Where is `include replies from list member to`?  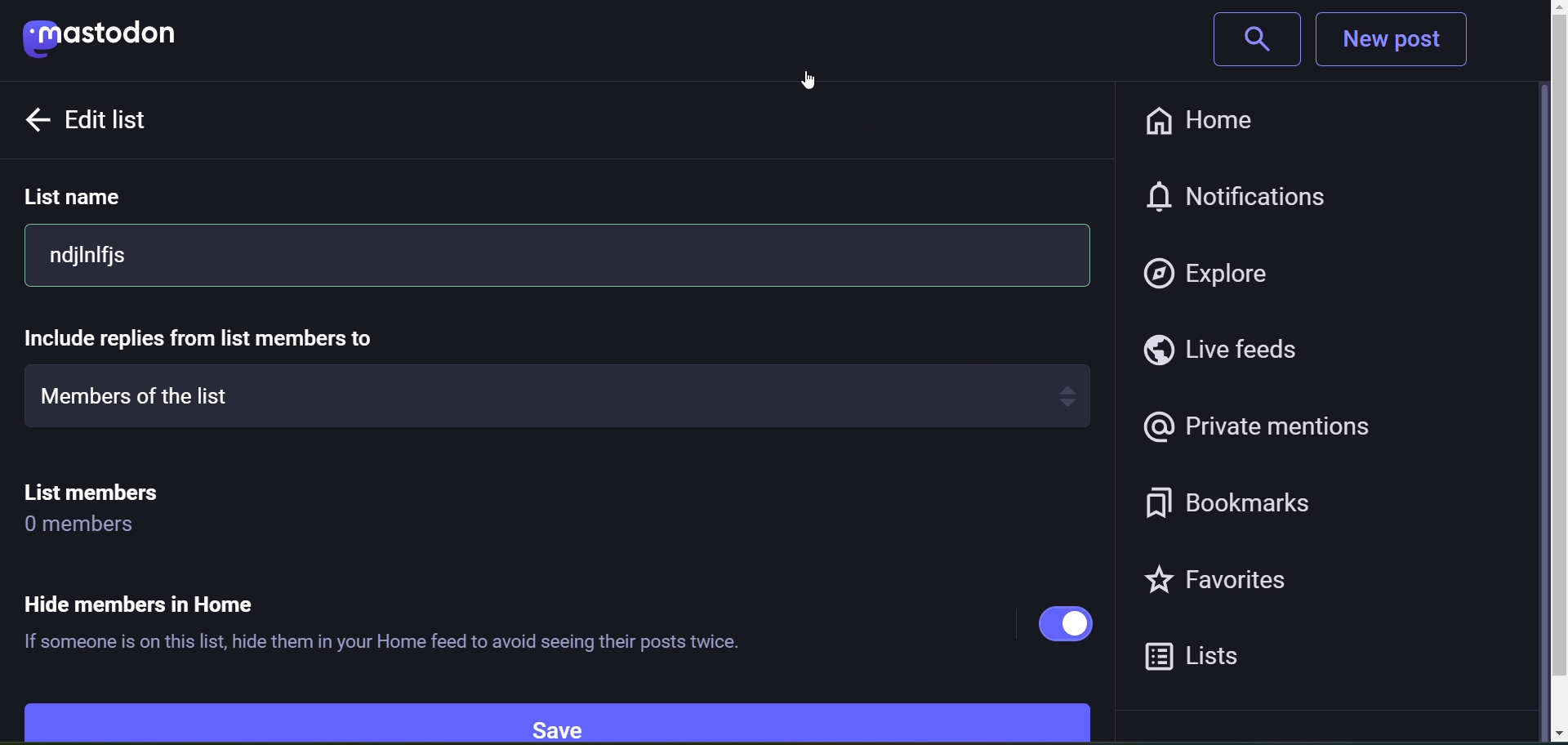
include replies from list member to is located at coordinates (206, 337).